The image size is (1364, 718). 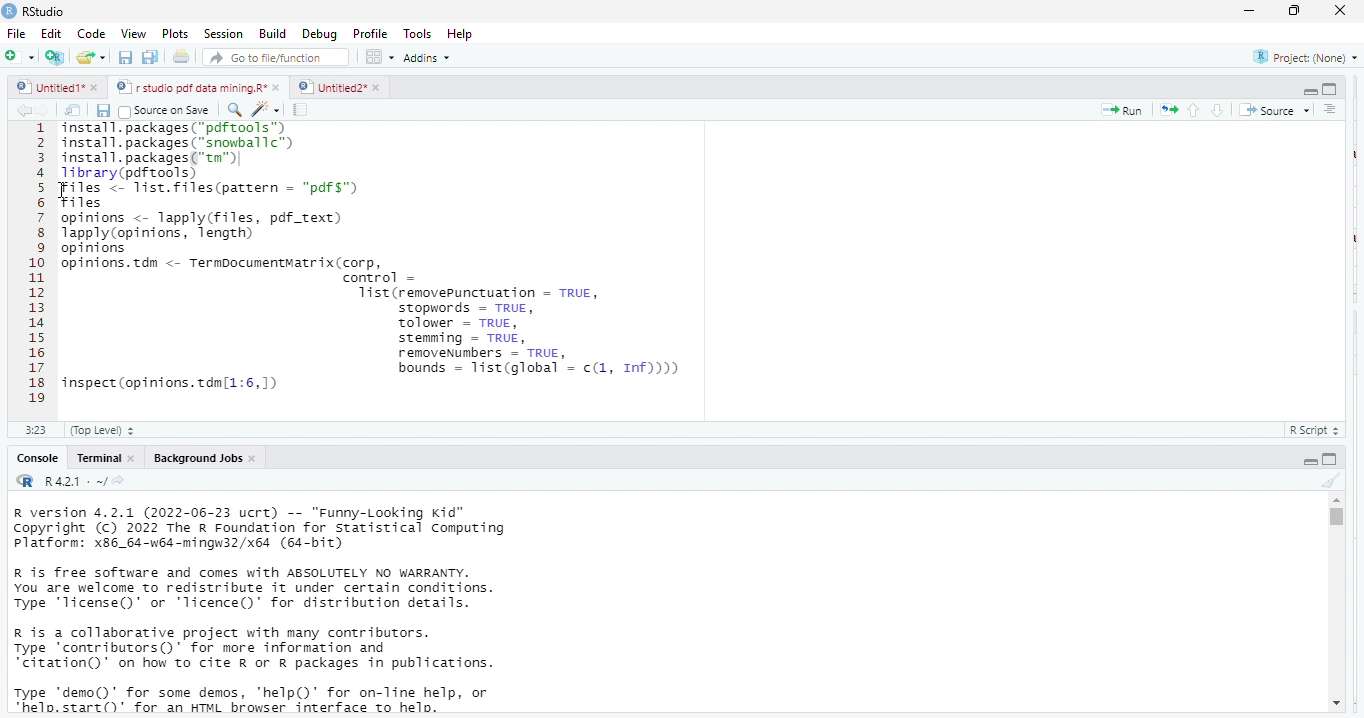 What do you see at coordinates (126, 58) in the screenshot?
I see `save current document` at bounding box center [126, 58].